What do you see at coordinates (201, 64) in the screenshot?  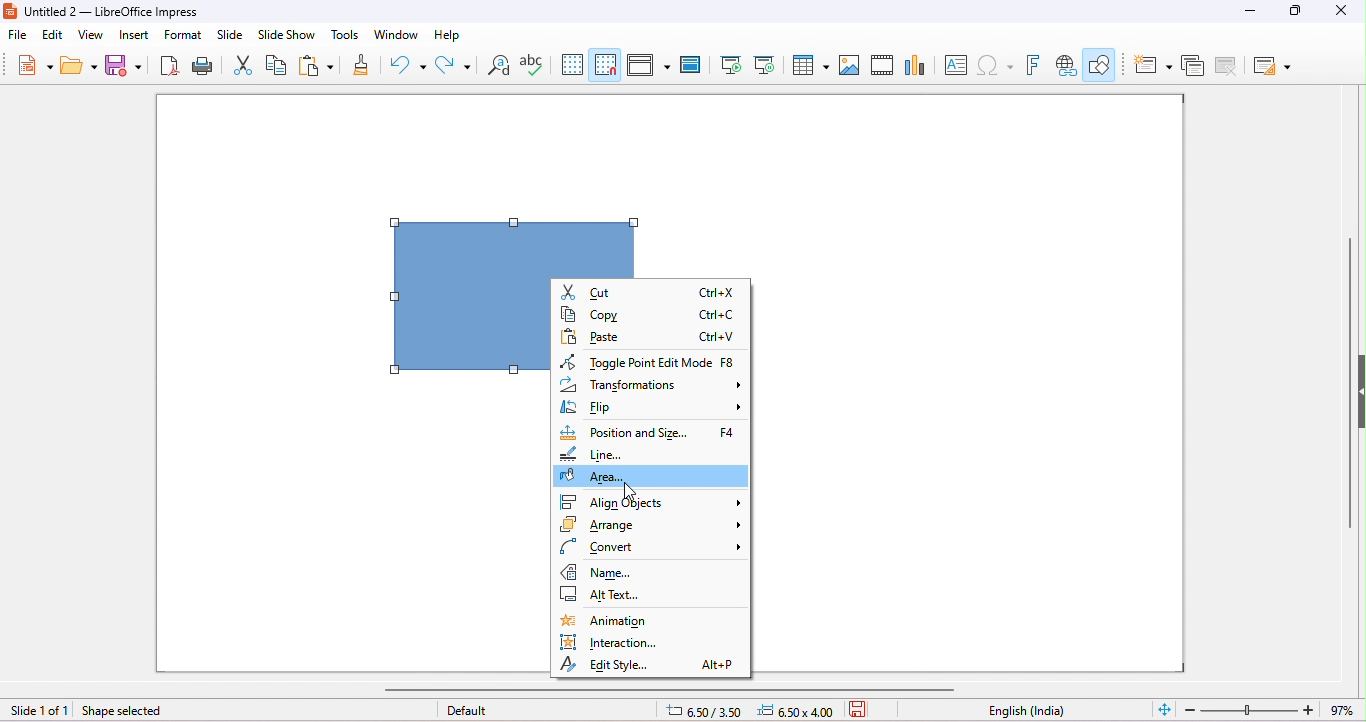 I see `print` at bounding box center [201, 64].